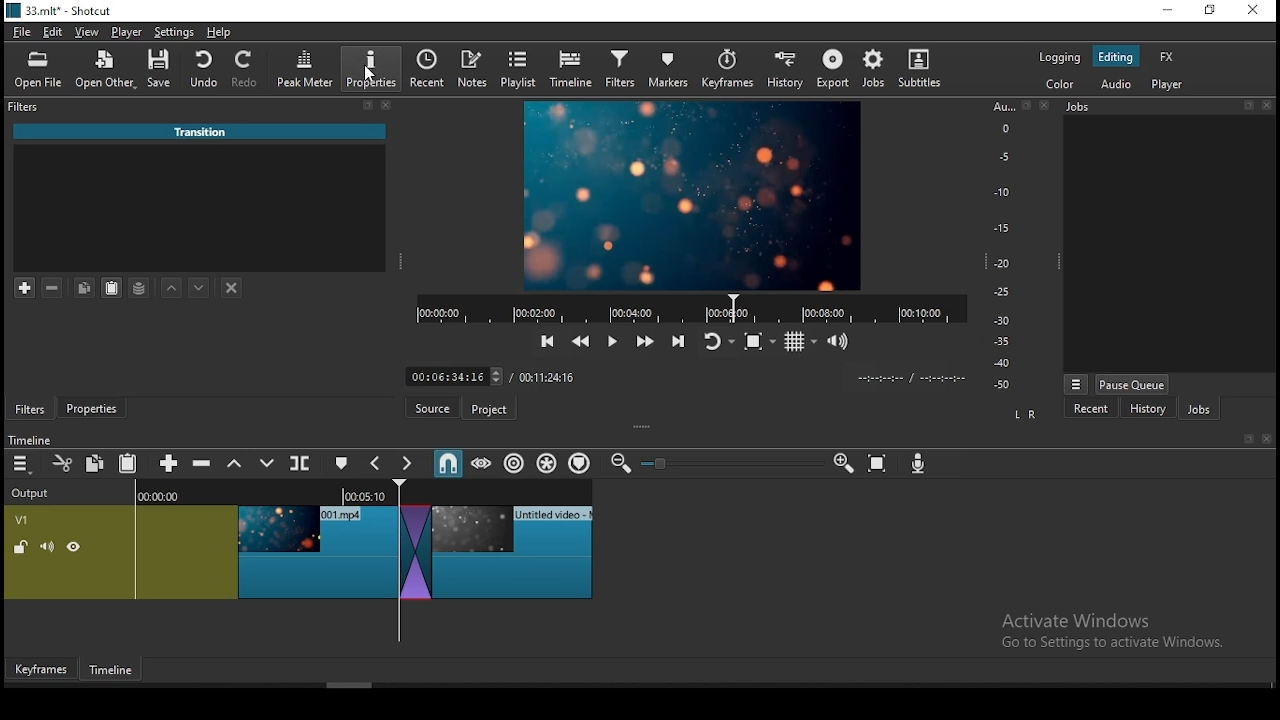  What do you see at coordinates (375, 69) in the screenshot?
I see `properties` at bounding box center [375, 69].